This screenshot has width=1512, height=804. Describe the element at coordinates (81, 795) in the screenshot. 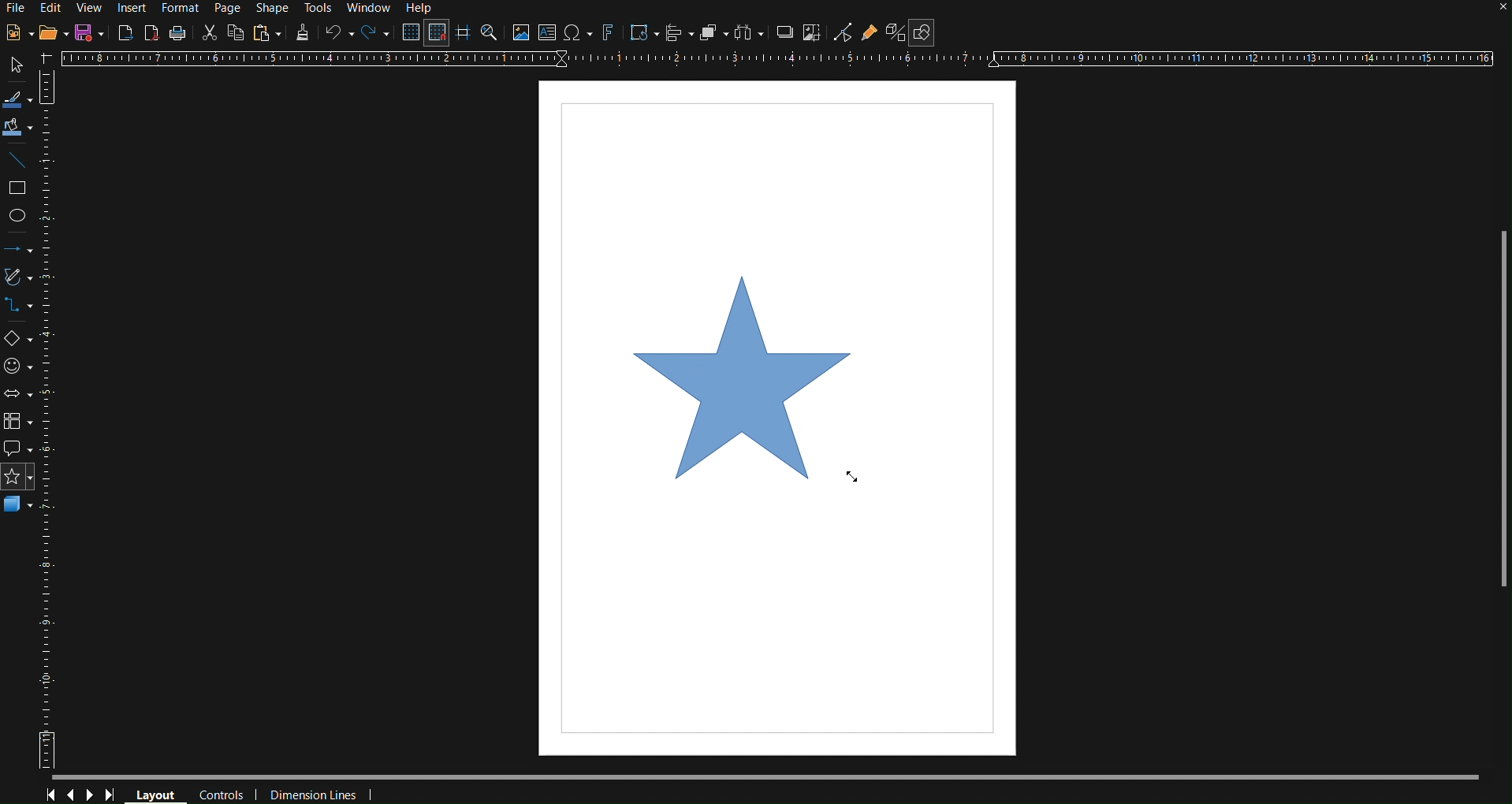

I see `Controls` at that location.